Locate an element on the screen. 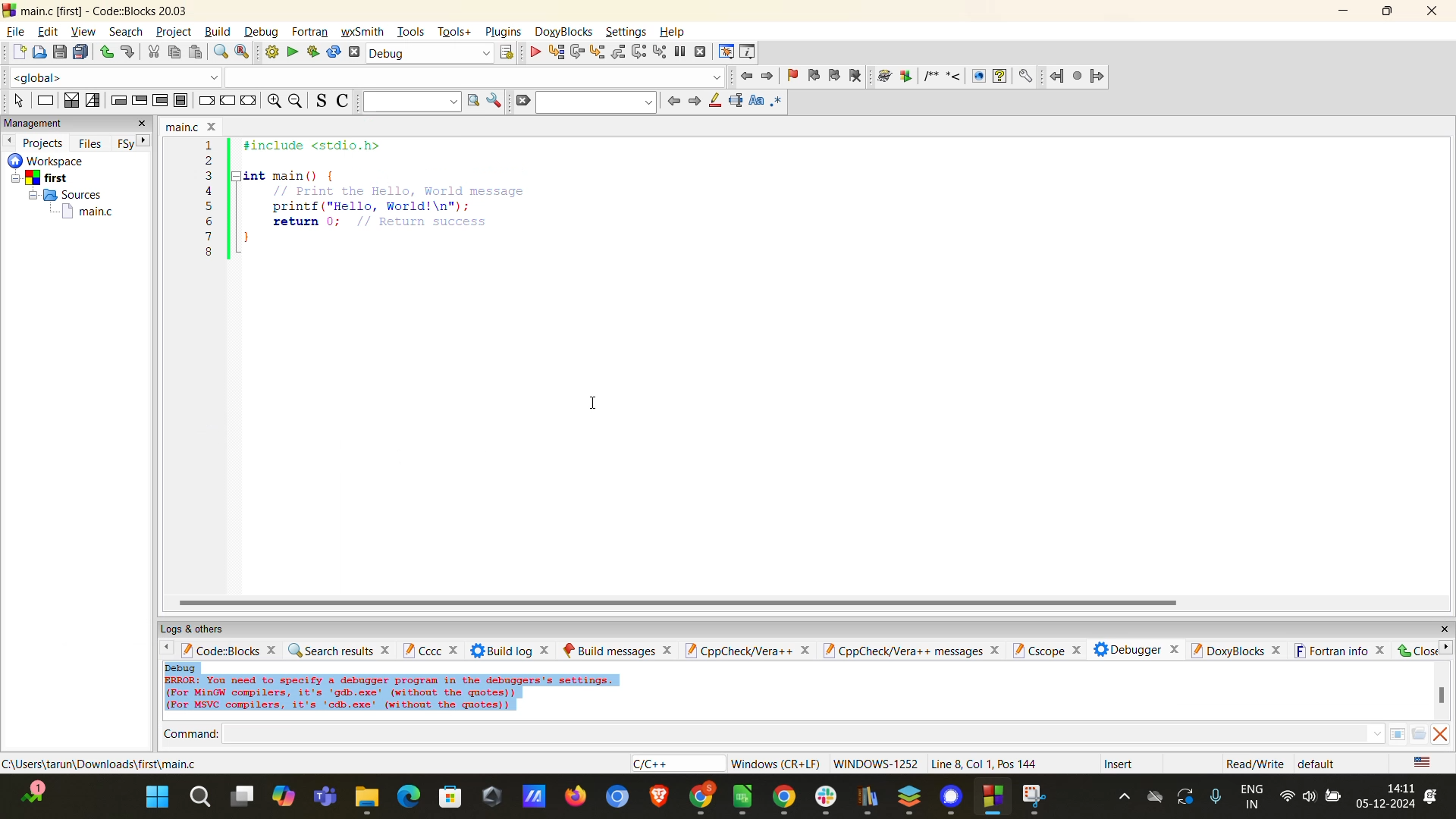  select is located at coordinates (14, 103).